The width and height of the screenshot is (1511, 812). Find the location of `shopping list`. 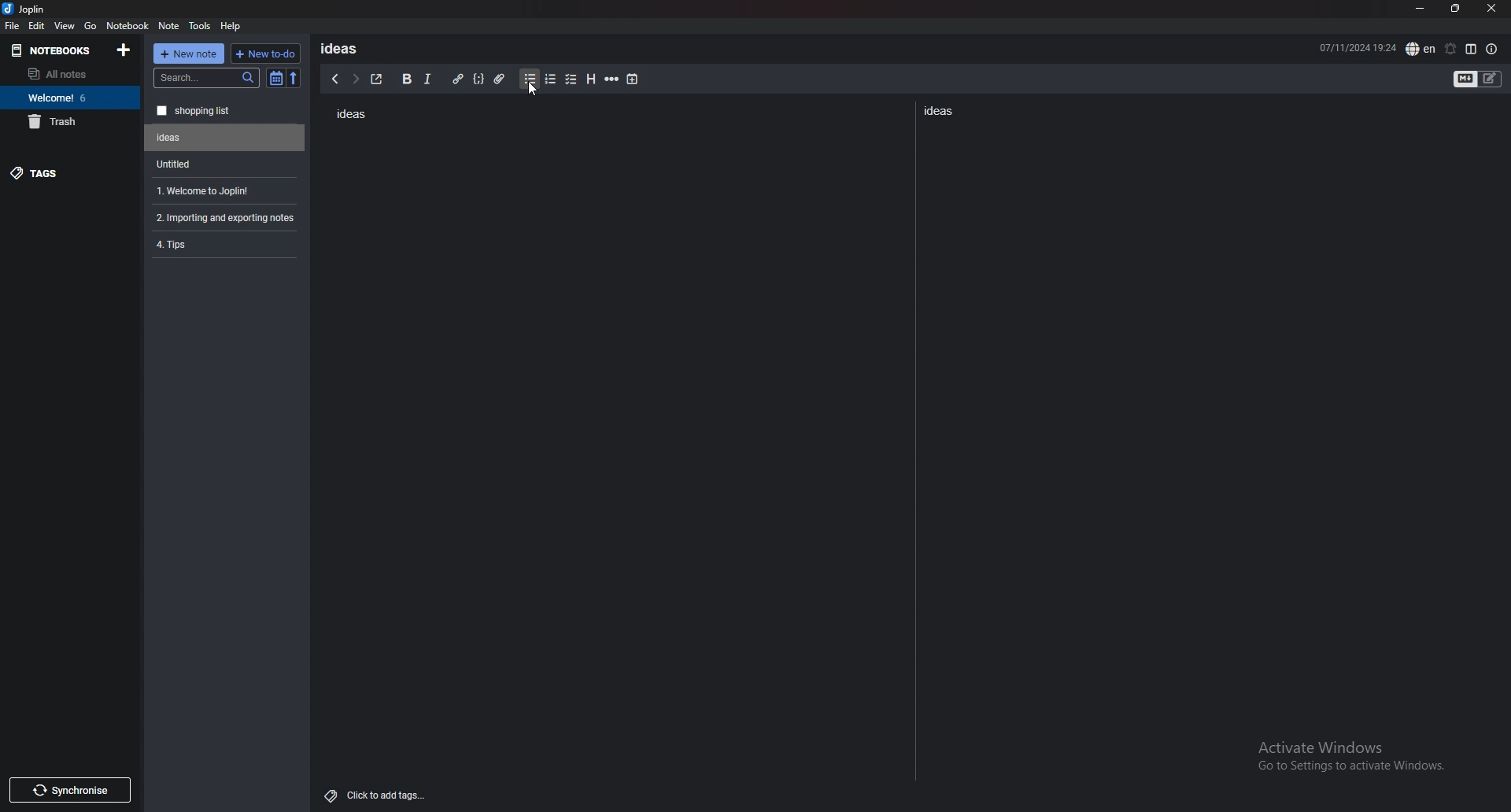

shopping list is located at coordinates (225, 111).